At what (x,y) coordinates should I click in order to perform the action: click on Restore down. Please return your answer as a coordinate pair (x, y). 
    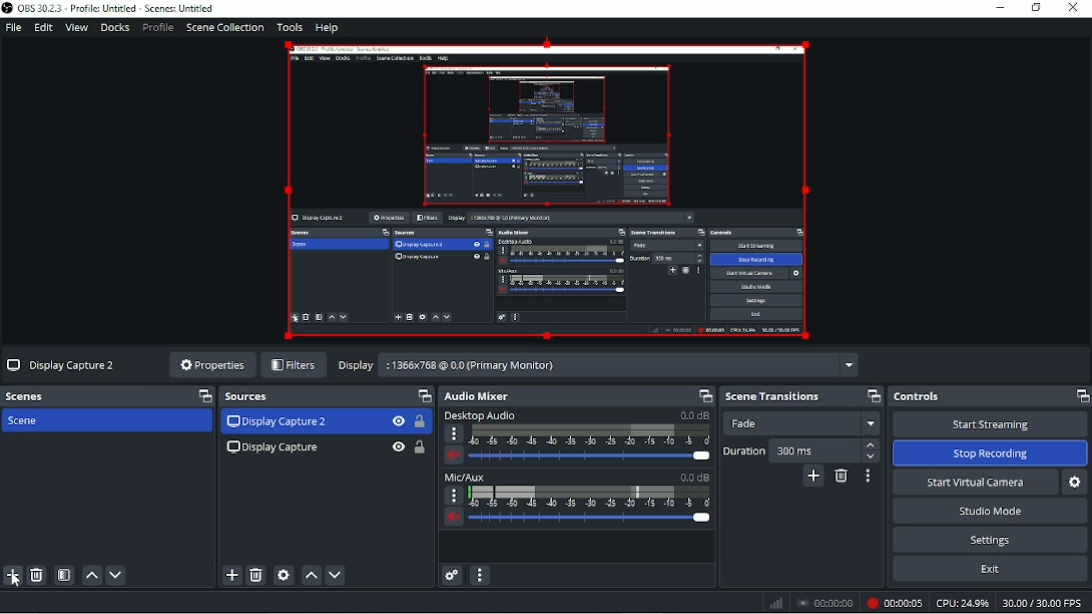
    Looking at the image, I should click on (1035, 8).